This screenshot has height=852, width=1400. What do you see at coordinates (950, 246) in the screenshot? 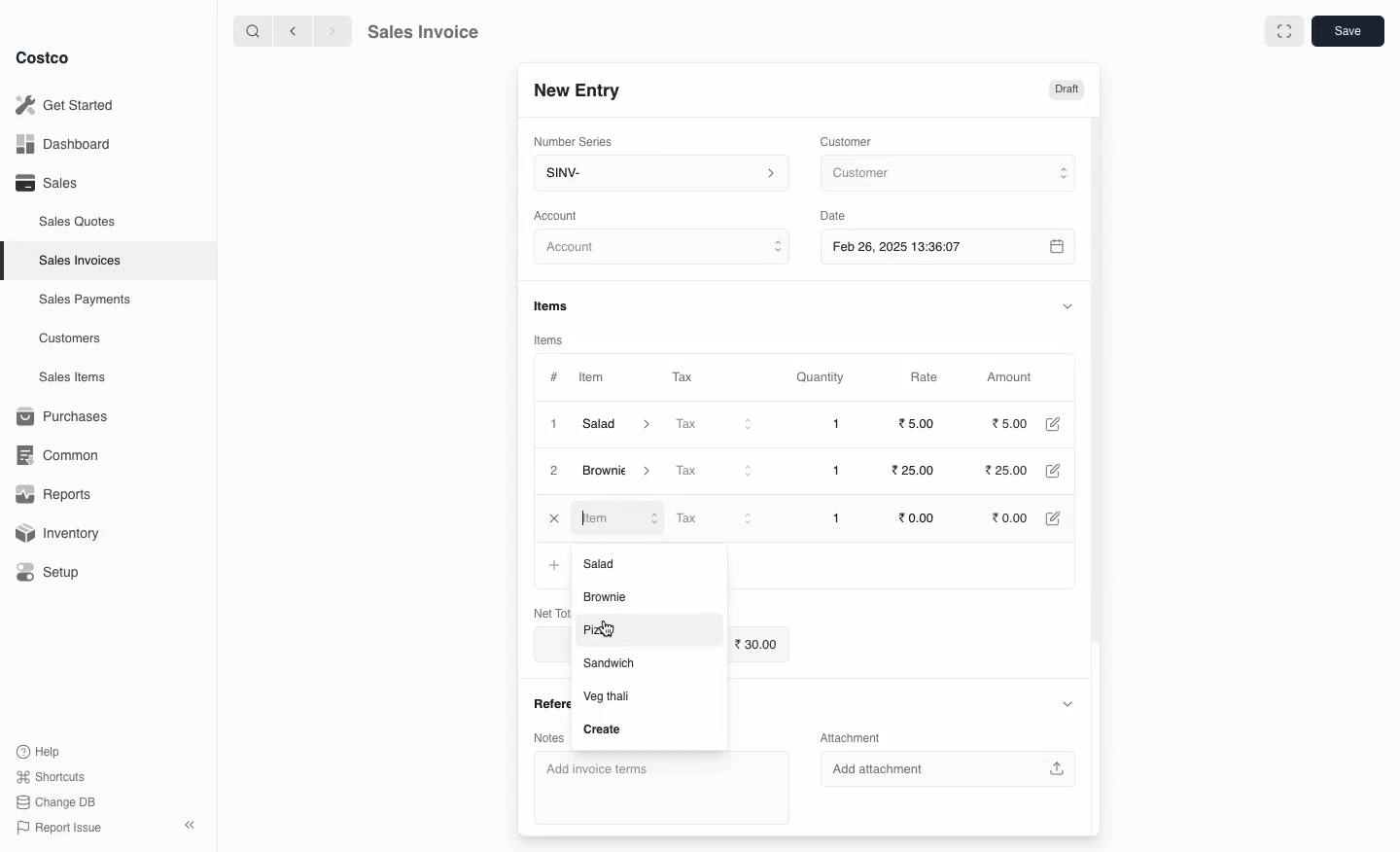
I see `Feb 26, 2025 13:36:07` at bounding box center [950, 246].